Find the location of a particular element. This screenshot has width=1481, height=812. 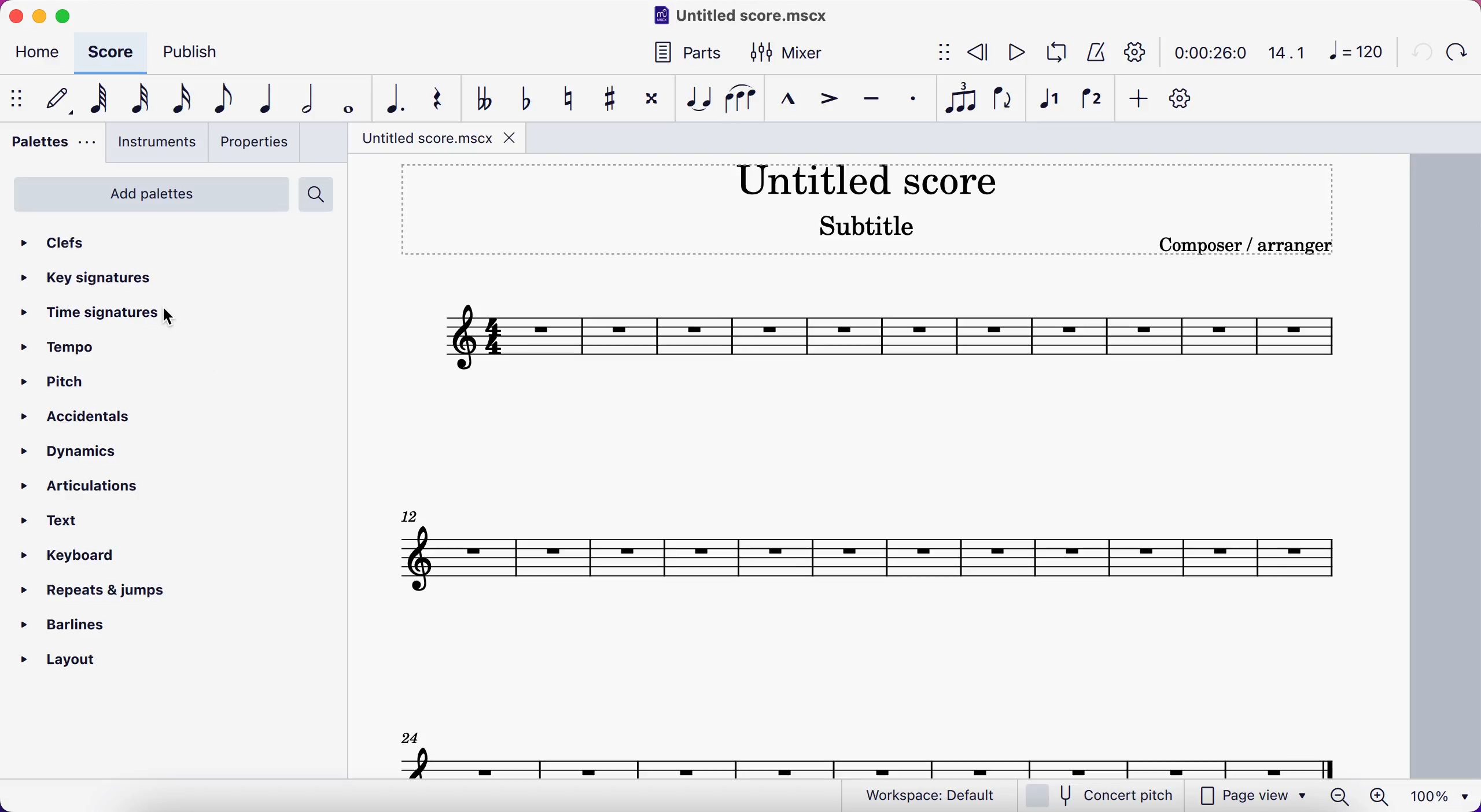

accent is located at coordinates (826, 98).